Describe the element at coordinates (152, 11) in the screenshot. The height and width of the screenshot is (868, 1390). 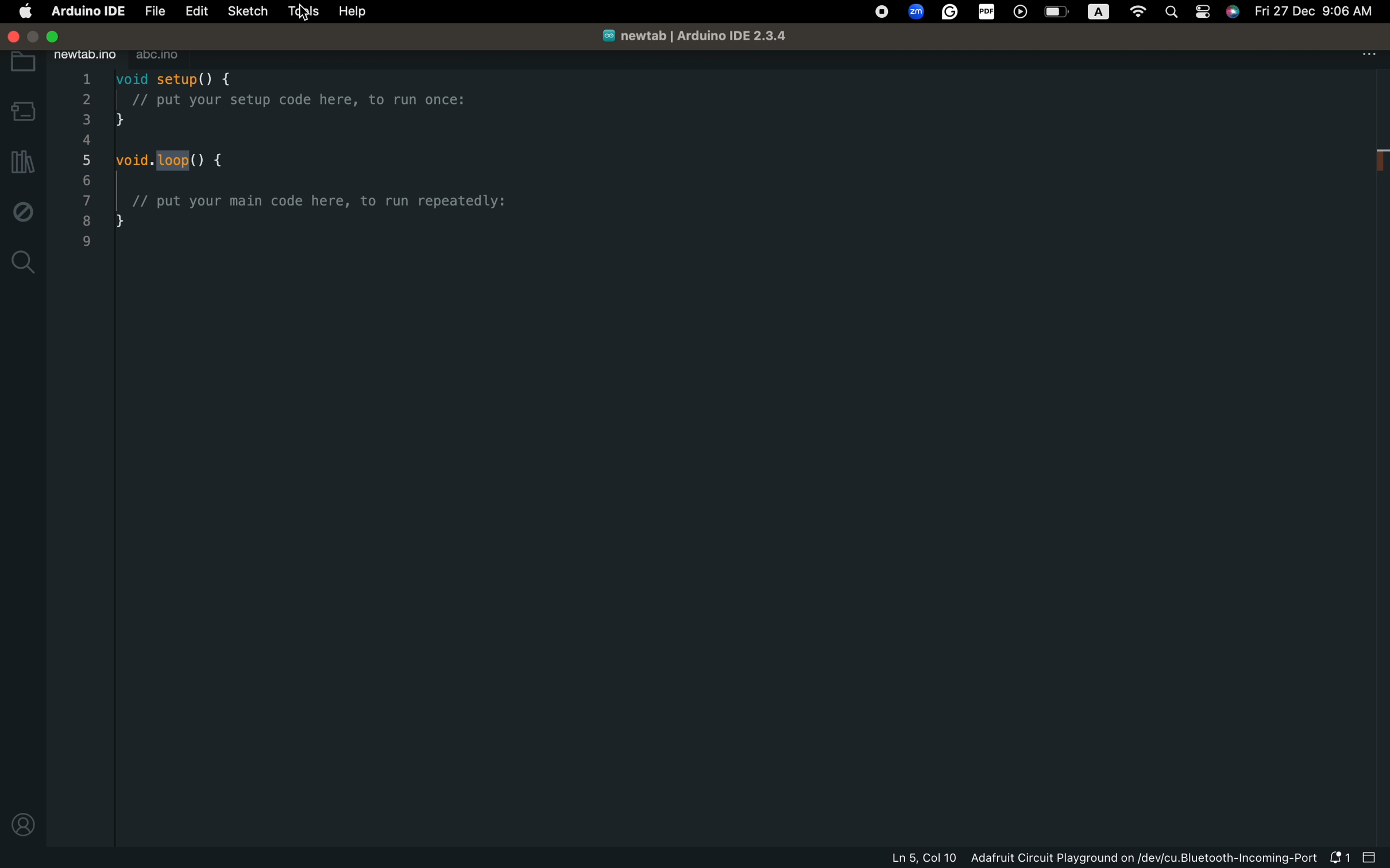
I see `file` at that location.